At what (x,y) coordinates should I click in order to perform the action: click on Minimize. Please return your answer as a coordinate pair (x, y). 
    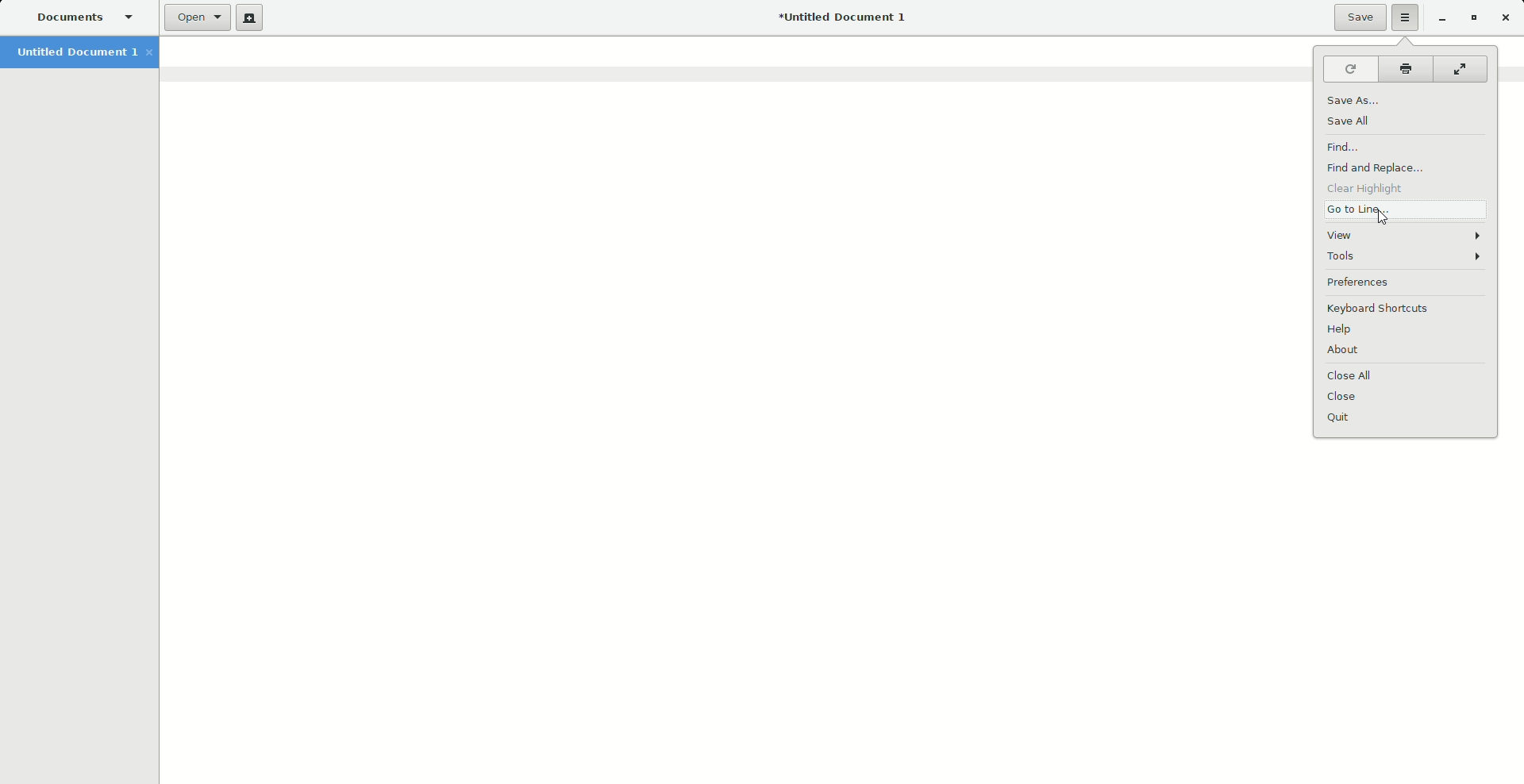
    Looking at the image, I should click on (1441, 19).